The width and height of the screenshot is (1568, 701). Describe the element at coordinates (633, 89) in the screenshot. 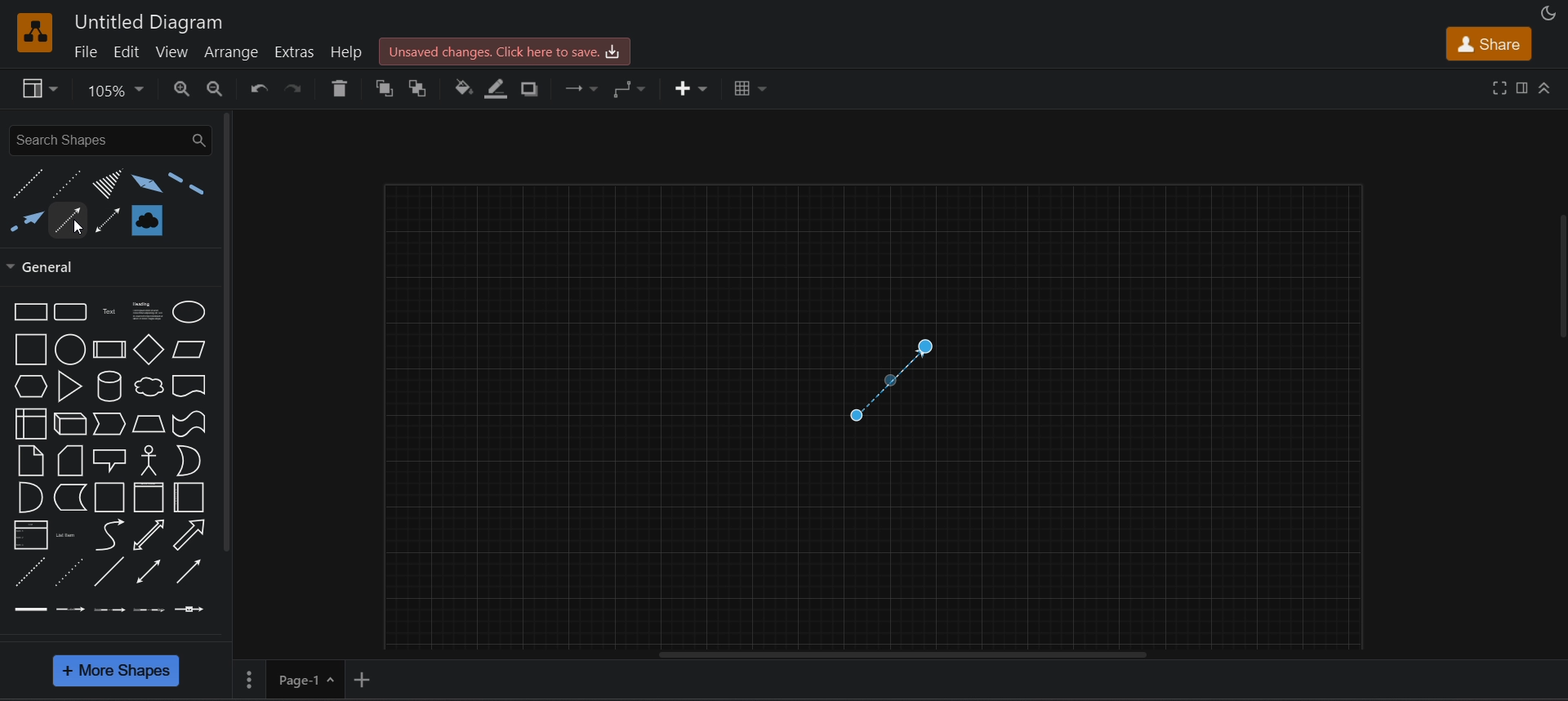

I see `waypoints` at that location.